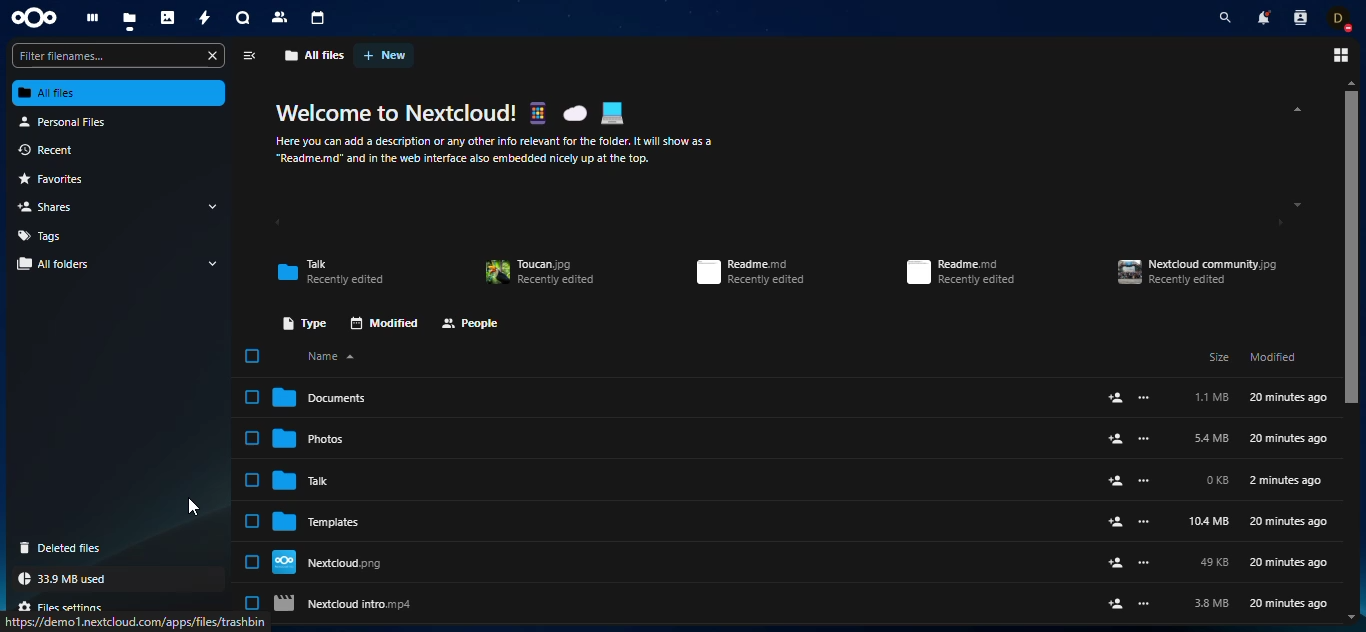  Describe the element at coordinates (1289, 396) in the screenshot. I see `20 minutes ago` at that location.